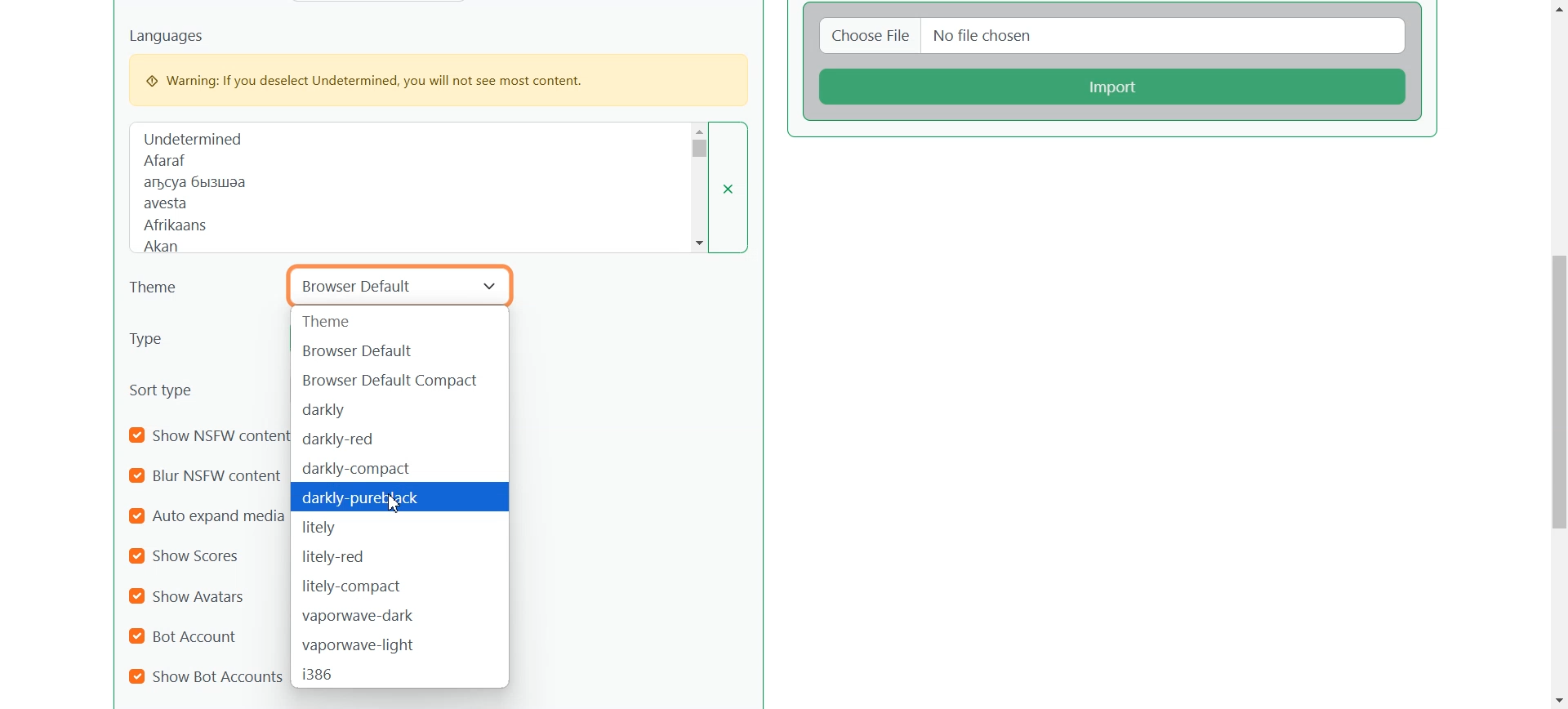  What do you see at coordinates (401, 644) in the screenshot?
I see `vaporwave-light` at bounding box center [401, 644].